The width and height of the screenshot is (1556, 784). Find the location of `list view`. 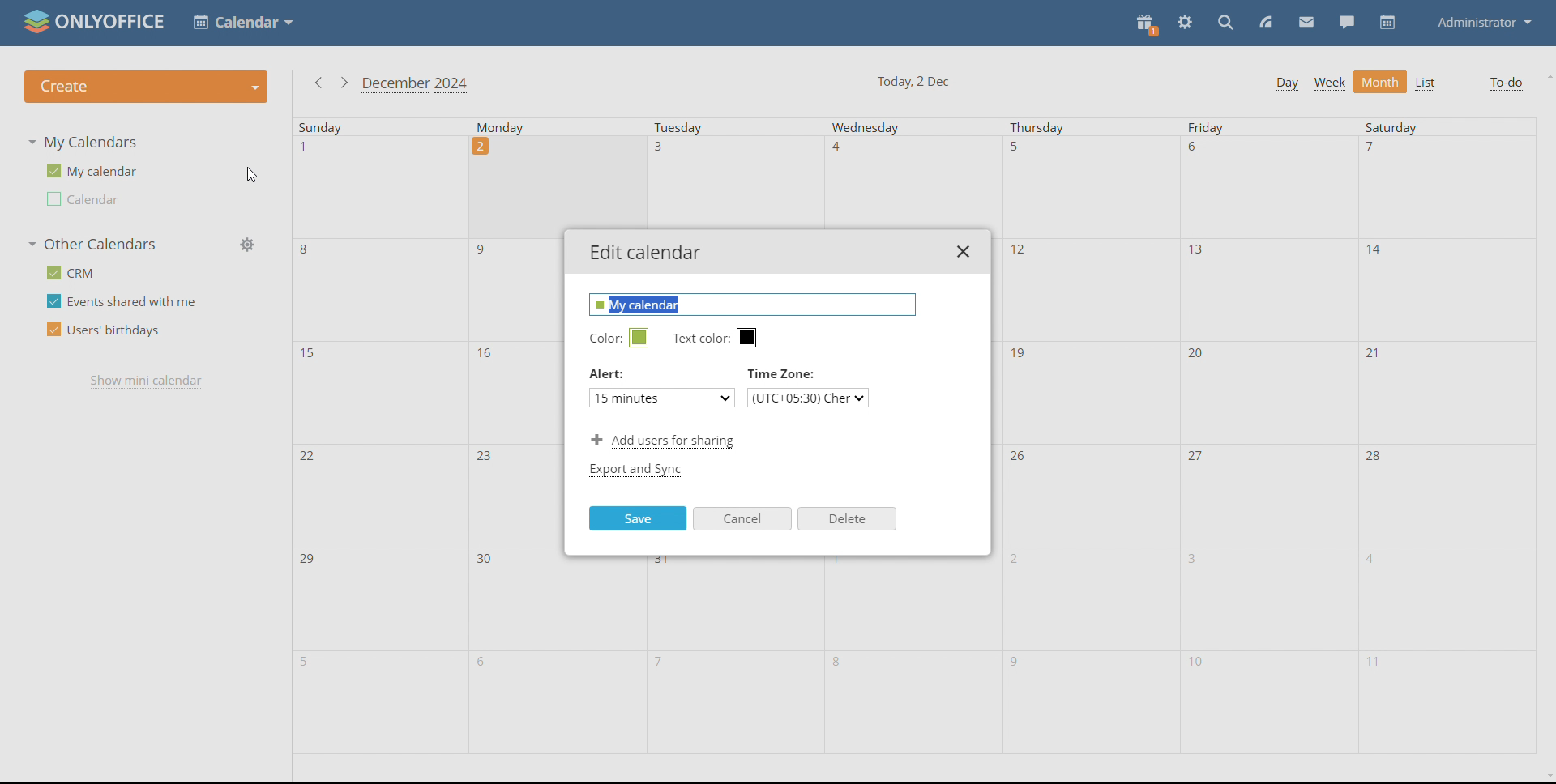

list view is located at coordinates (1426, 83).